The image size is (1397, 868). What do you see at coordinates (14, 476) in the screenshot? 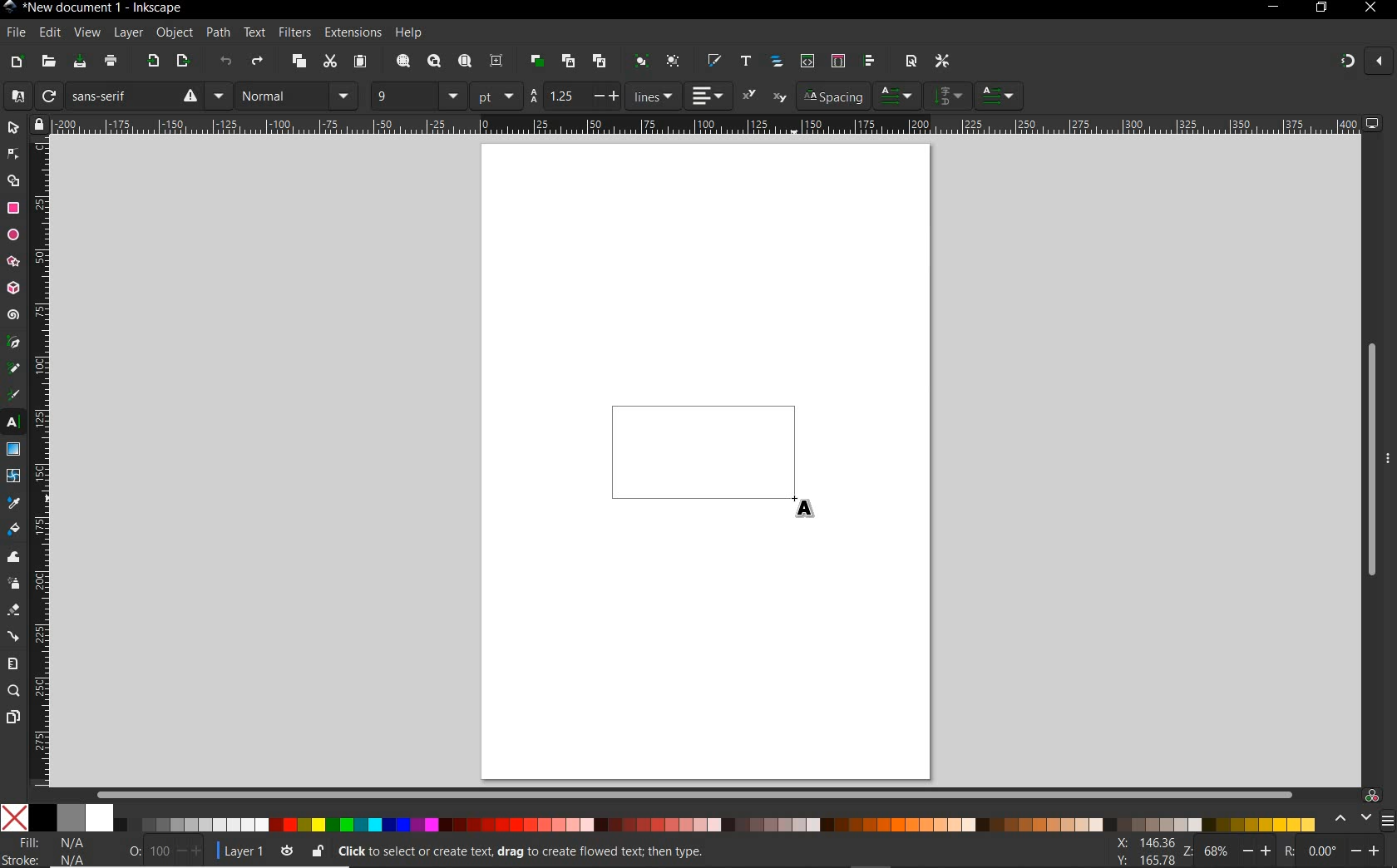
I see `Mesh Tool` at bounding box center [14, 476].